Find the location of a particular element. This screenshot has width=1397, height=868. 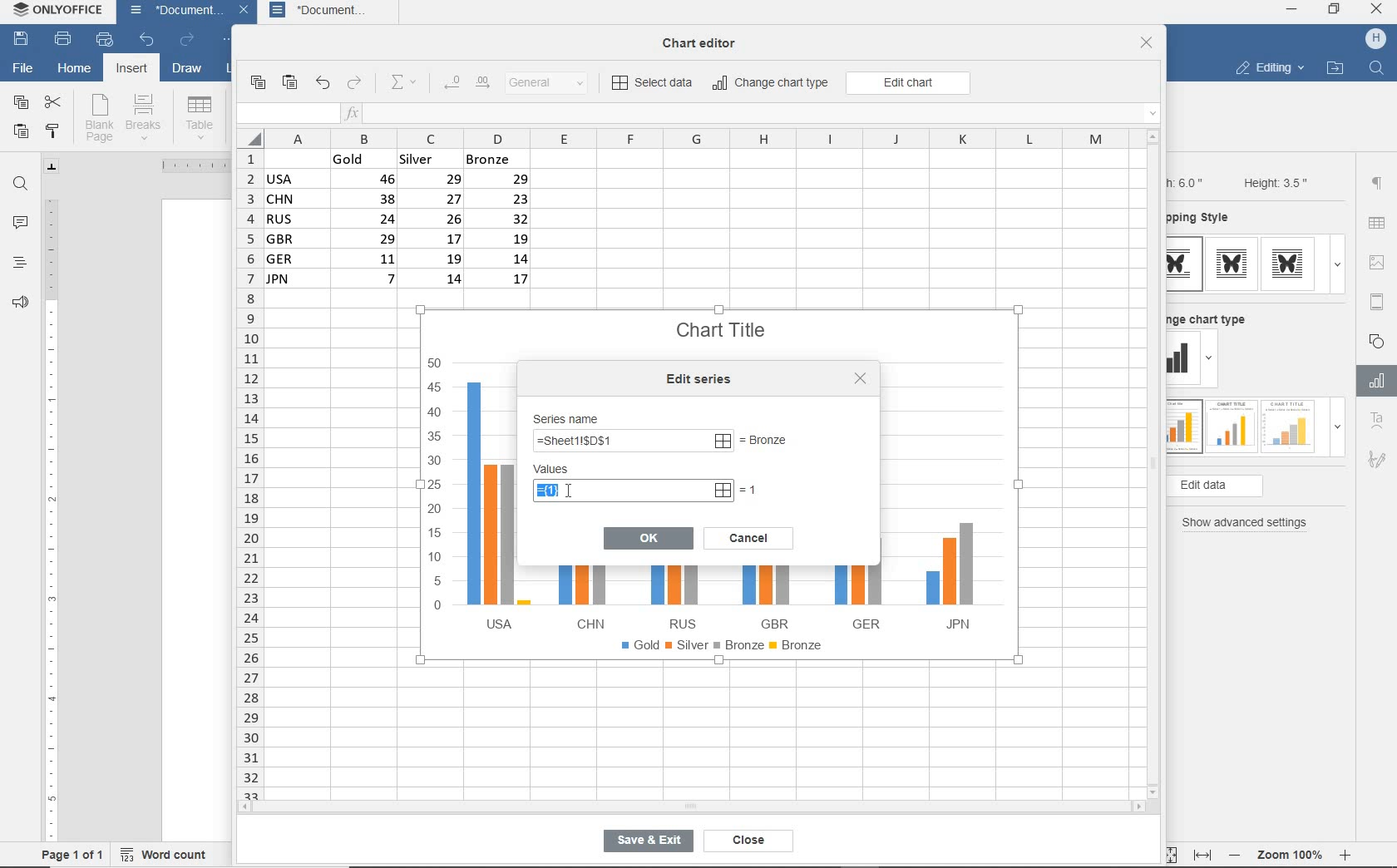

show advanced settings is located at coordinates (1249, 523).